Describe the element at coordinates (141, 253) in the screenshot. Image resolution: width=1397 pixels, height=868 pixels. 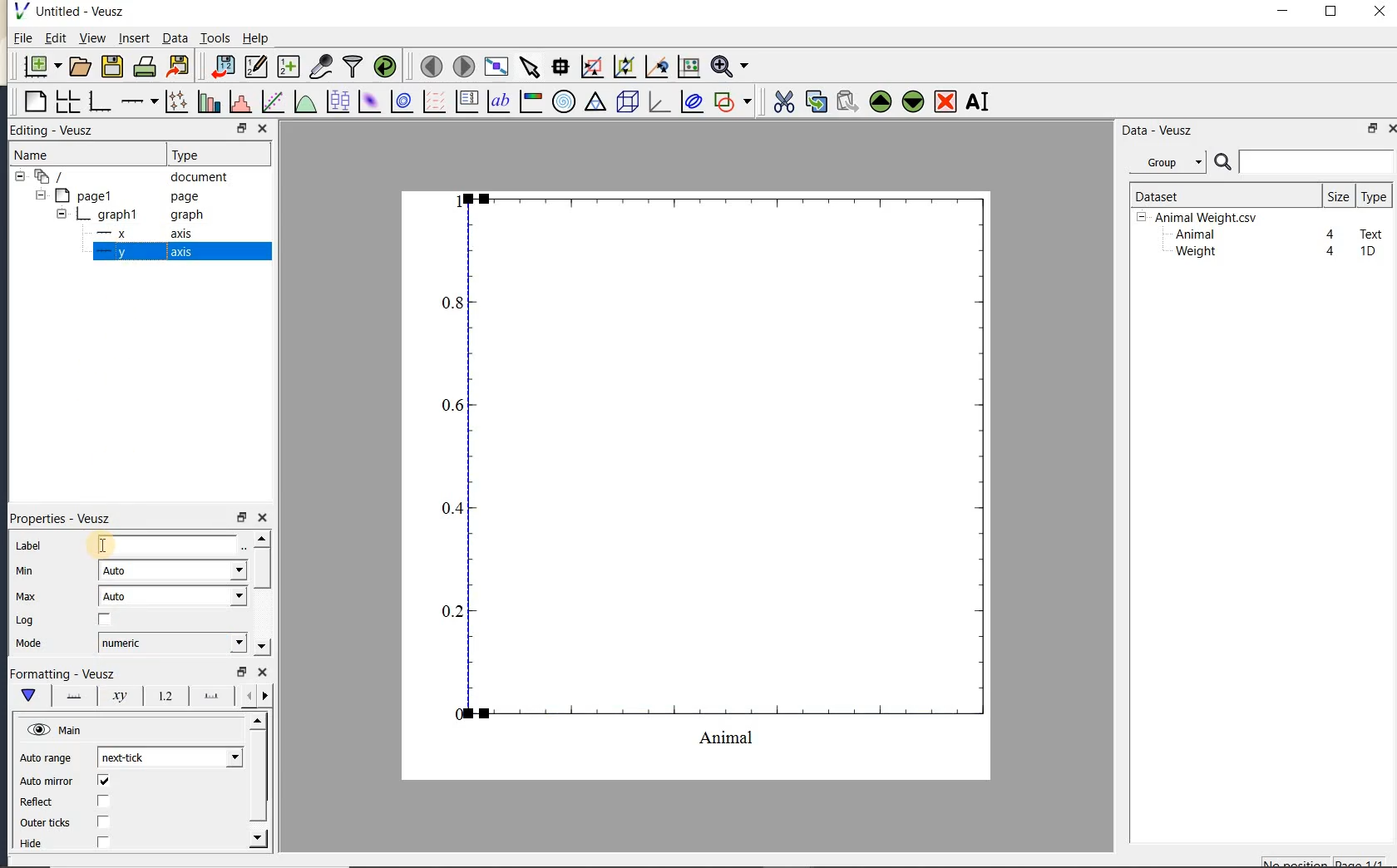
I see `axis` at that location.